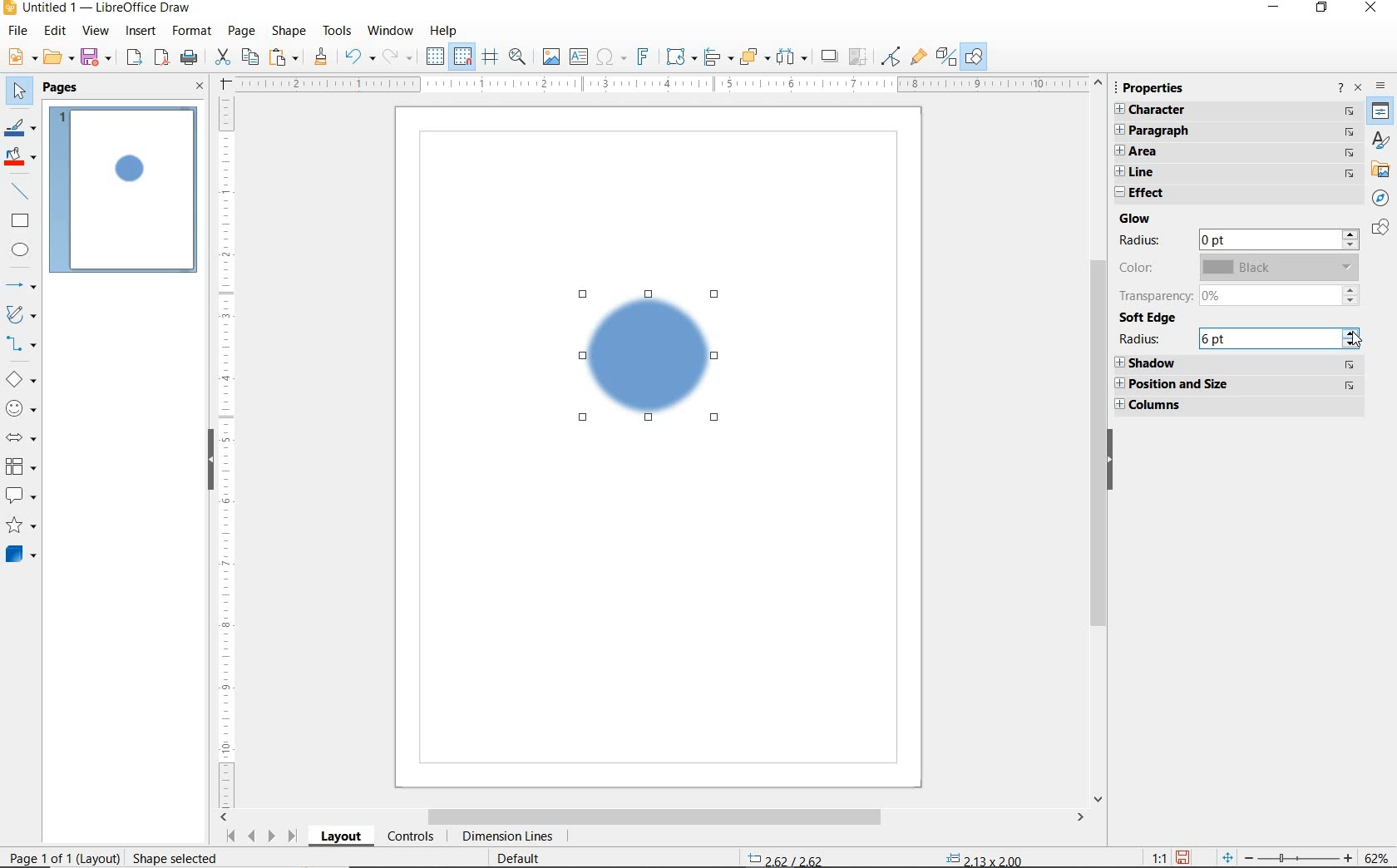  What do you see at coordinates (578, 57) in the screenshot?
I see `INSERT TEXT BOX` at bounding box center [578, 57].